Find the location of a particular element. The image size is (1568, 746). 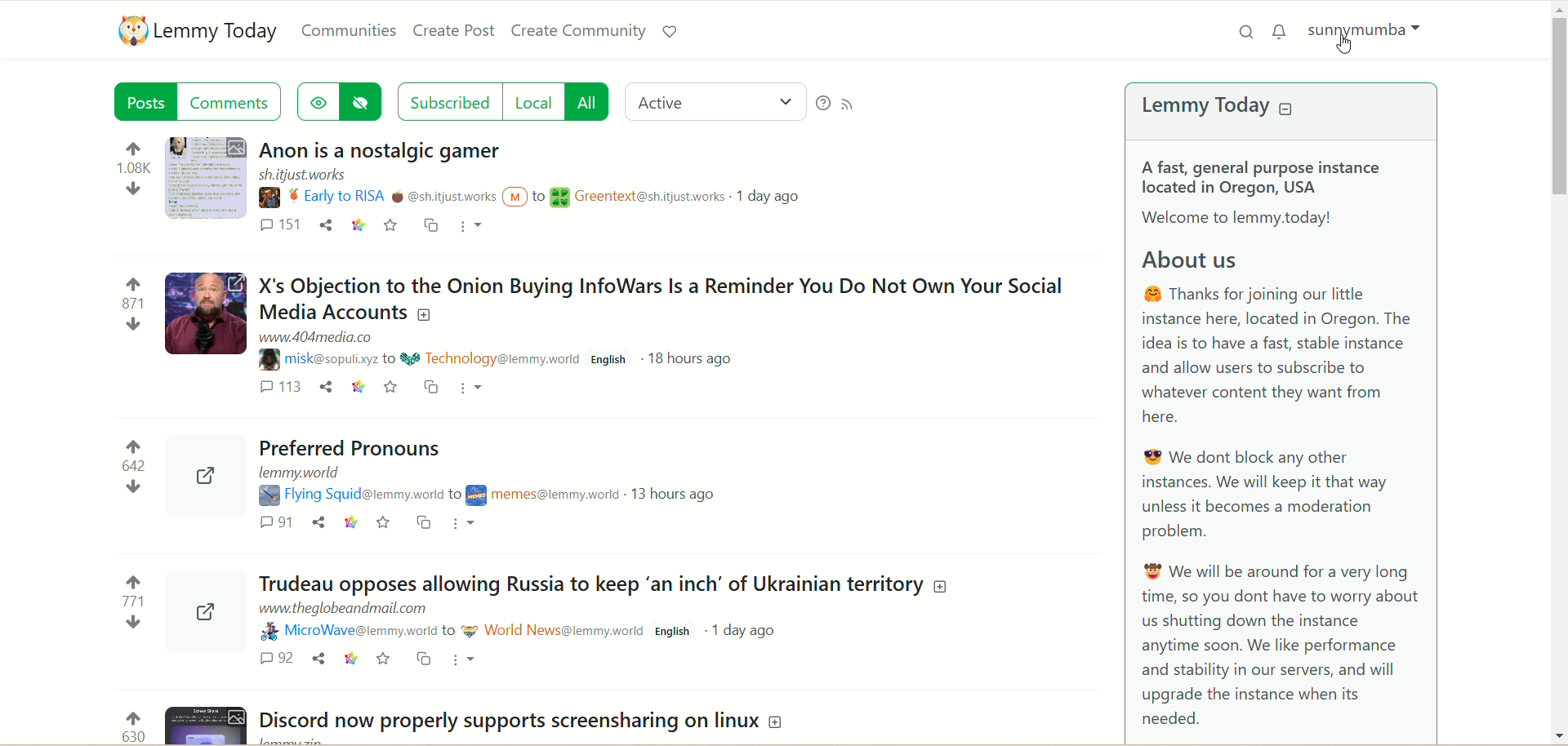

vertical scroll bar is located at coordinates (1558, 371).